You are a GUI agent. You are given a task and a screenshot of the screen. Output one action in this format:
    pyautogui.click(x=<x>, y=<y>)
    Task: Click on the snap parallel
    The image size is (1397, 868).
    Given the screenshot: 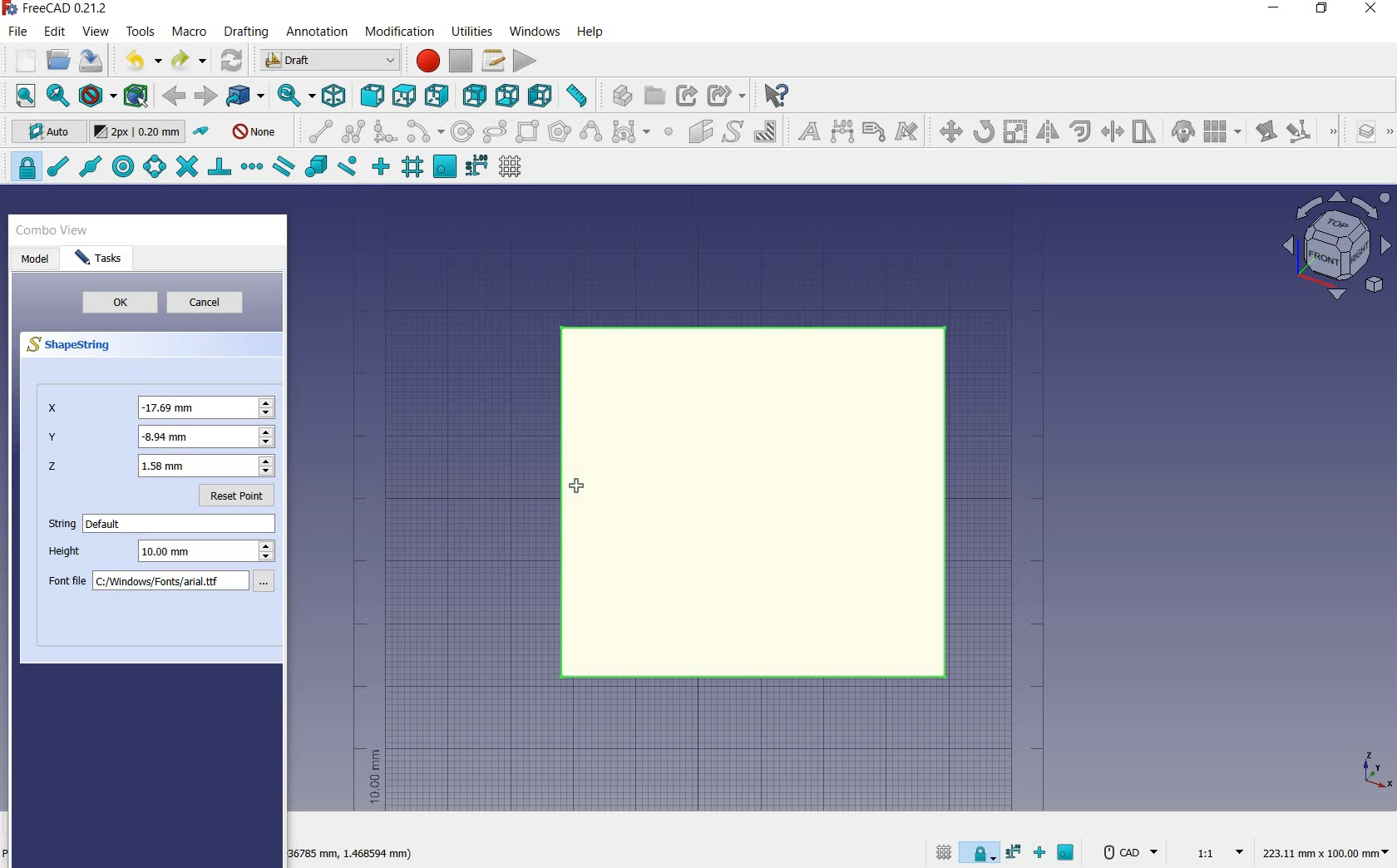 What is the action you would take?
    pyautogui.click(x=283, y=167)
    